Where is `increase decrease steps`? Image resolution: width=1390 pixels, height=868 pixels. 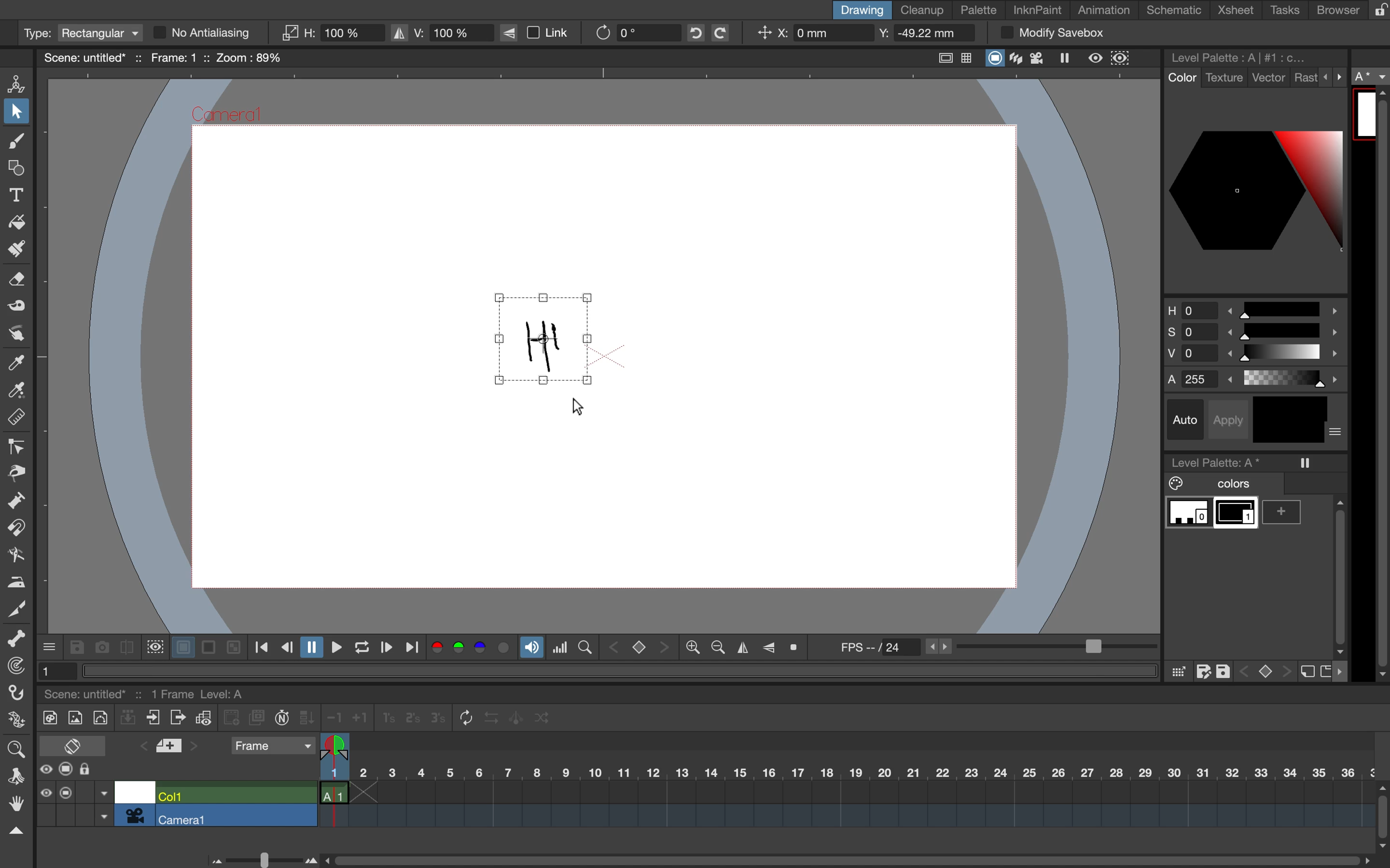 increase decrease steps is located at coordinates (344, 718).